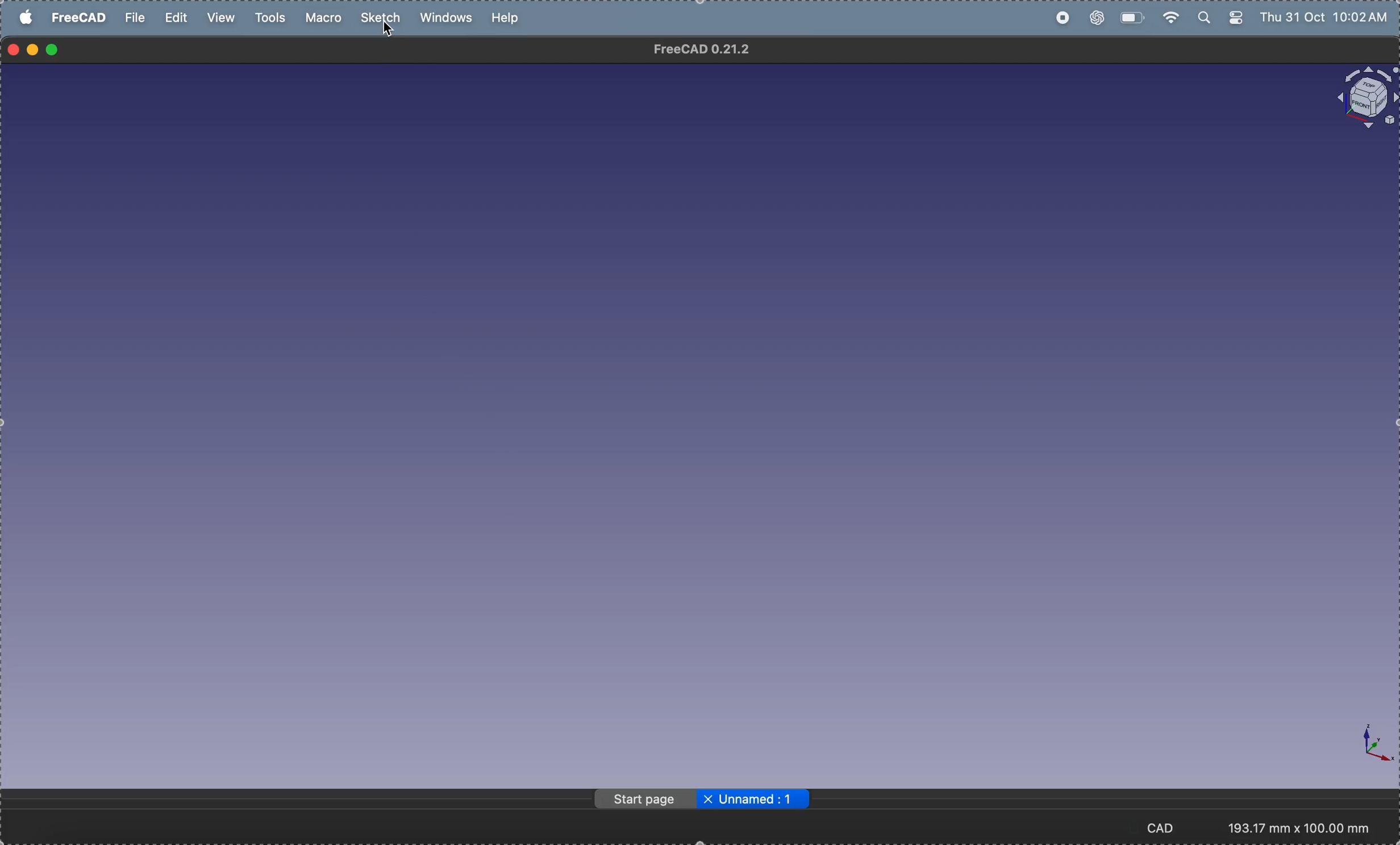  I want to click on tools, so click(273, 18).